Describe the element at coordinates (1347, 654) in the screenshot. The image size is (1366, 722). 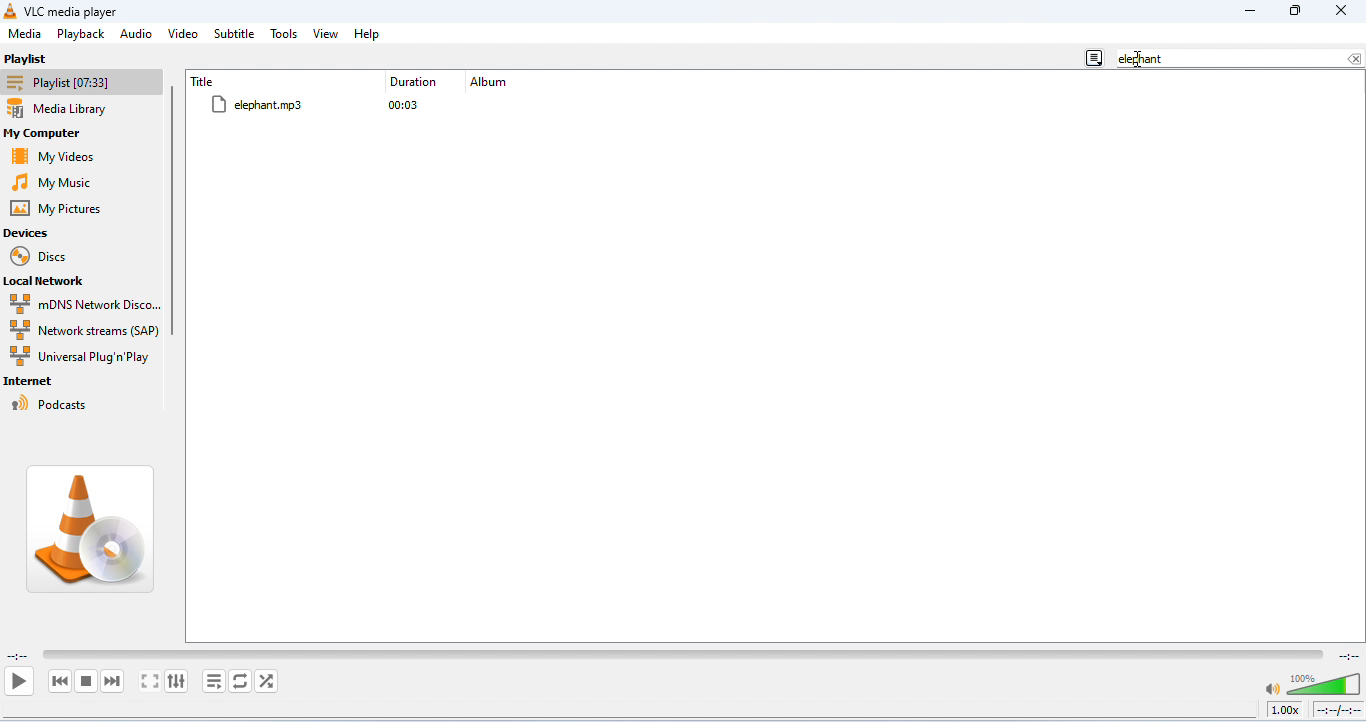
I see `remaining time` at that location.